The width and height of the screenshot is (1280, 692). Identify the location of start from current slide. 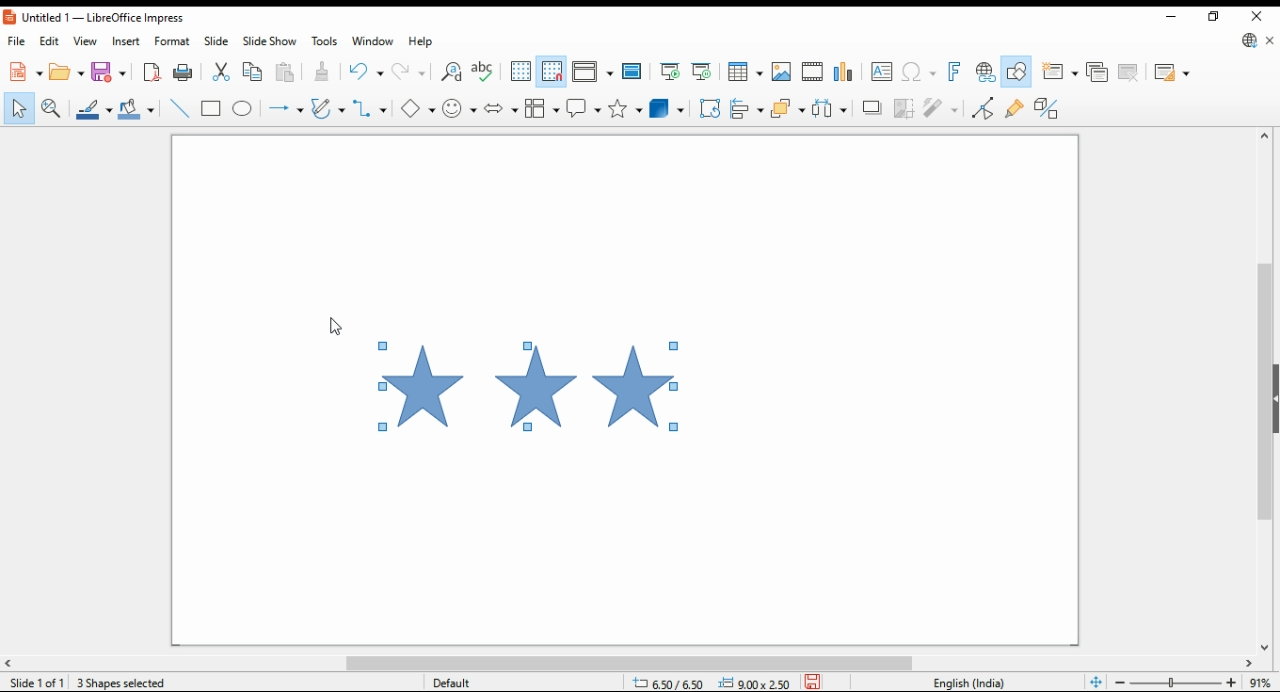
(701, 72).